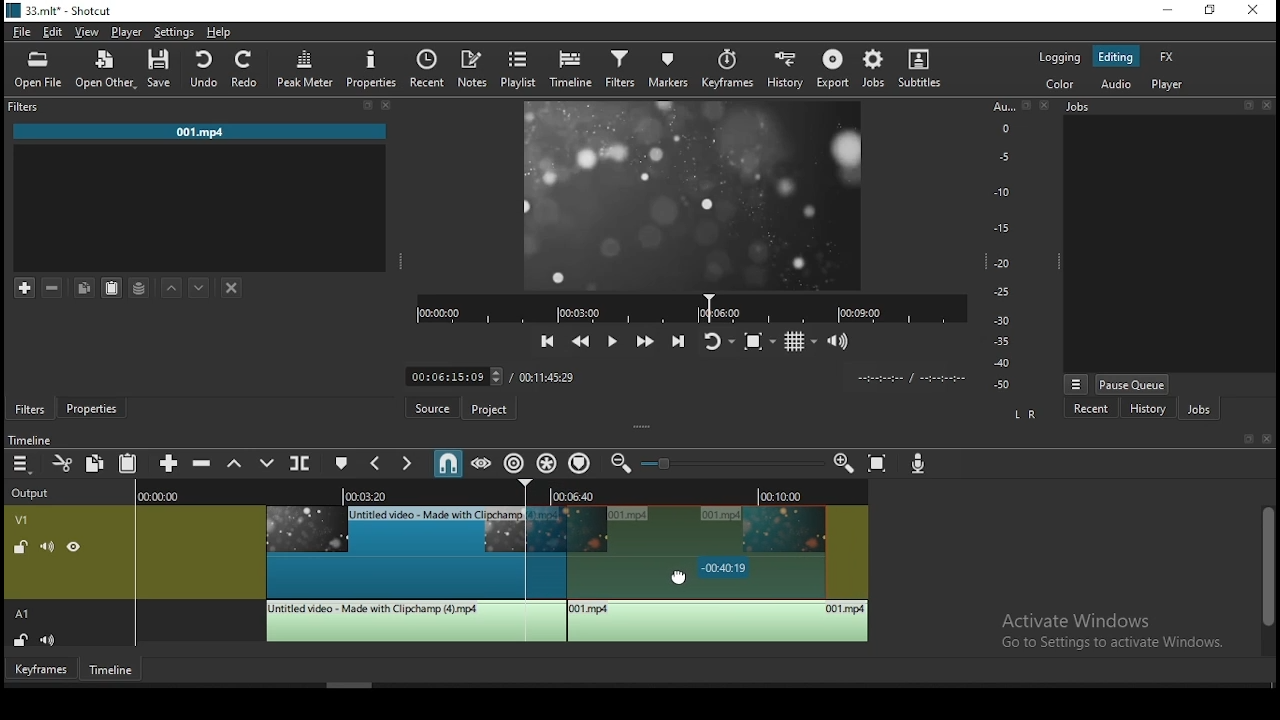 This screenshot has width=1280, height=720. I want to click on create/edit marker, so click(343, 464).